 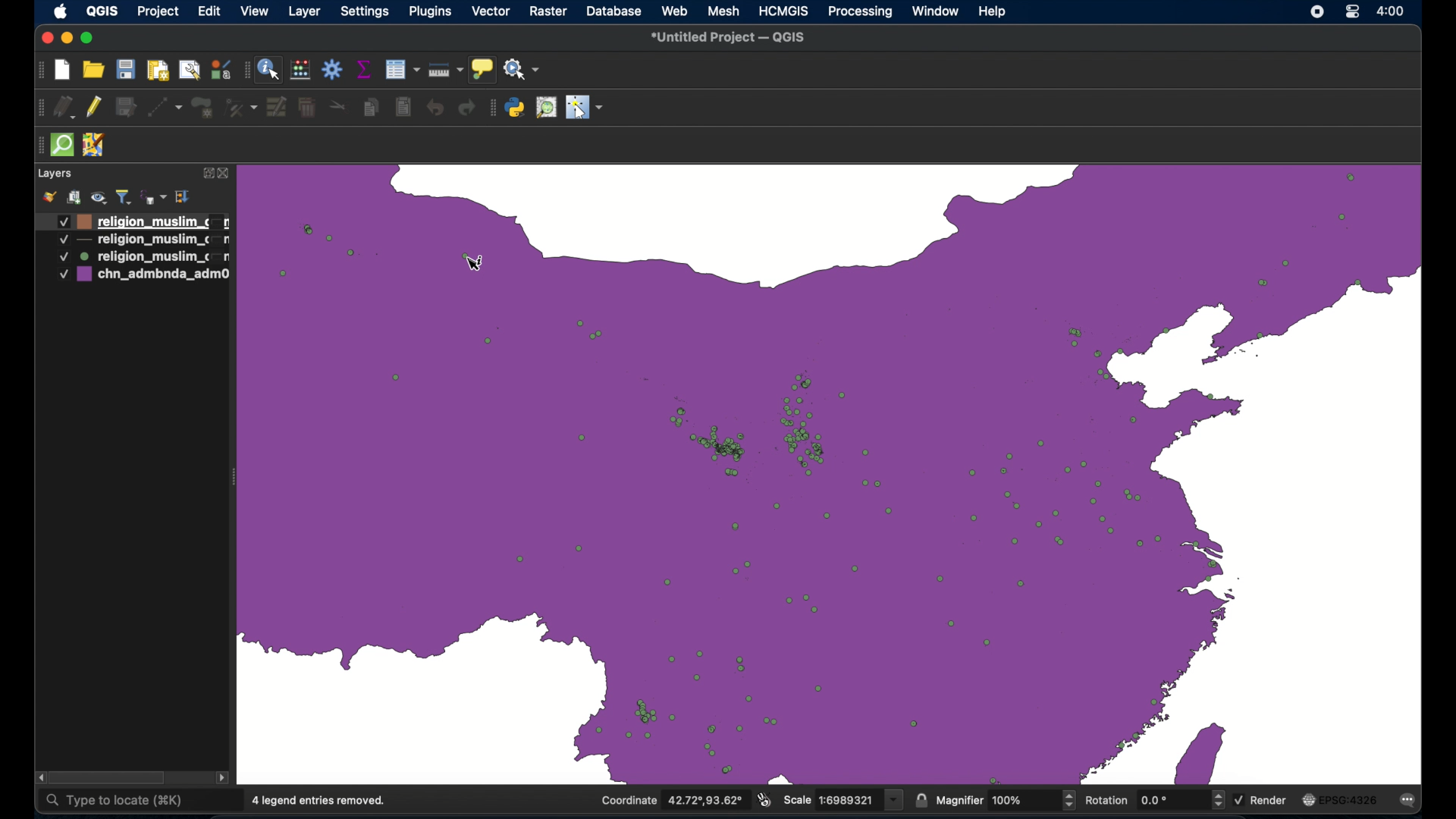 I want to click on layer 1, so click(x=140, y=221).